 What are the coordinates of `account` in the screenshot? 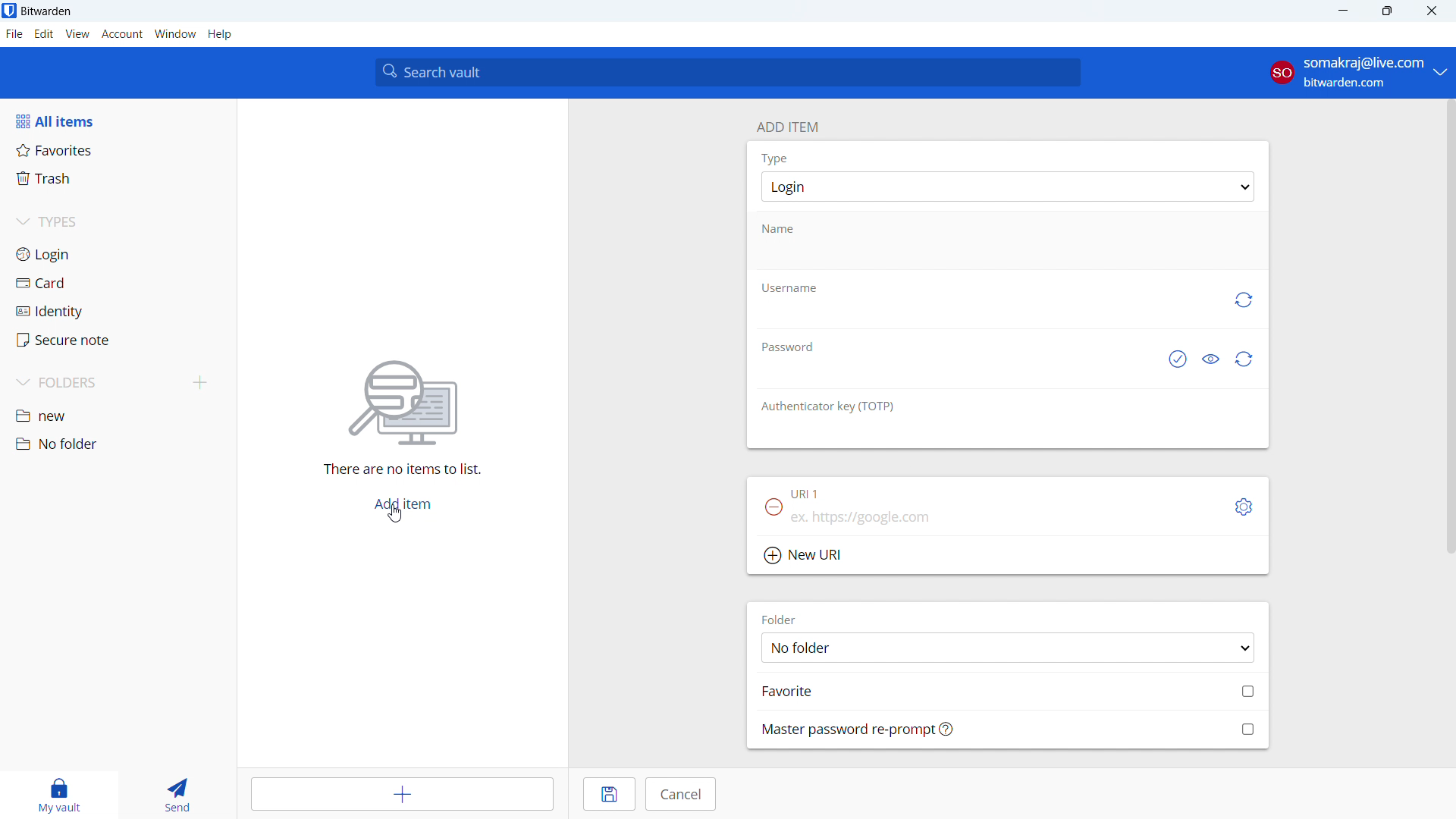 It's located at (1357, 73).